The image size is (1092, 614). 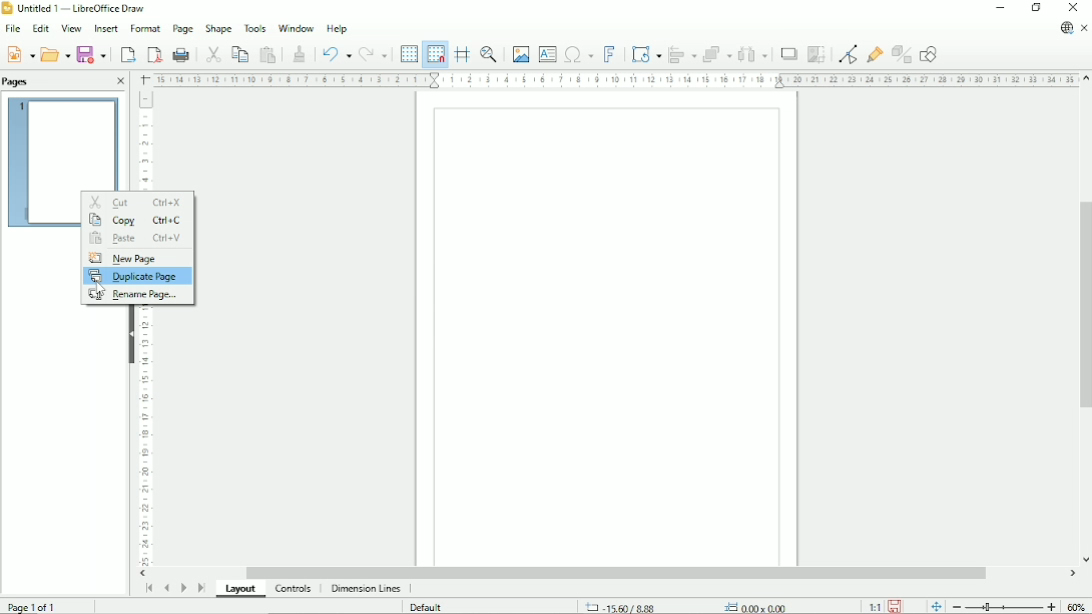 What do you see at coordinates (243, 590) in the screenshot?
I see `Layout` at bounding box center [243, 590].